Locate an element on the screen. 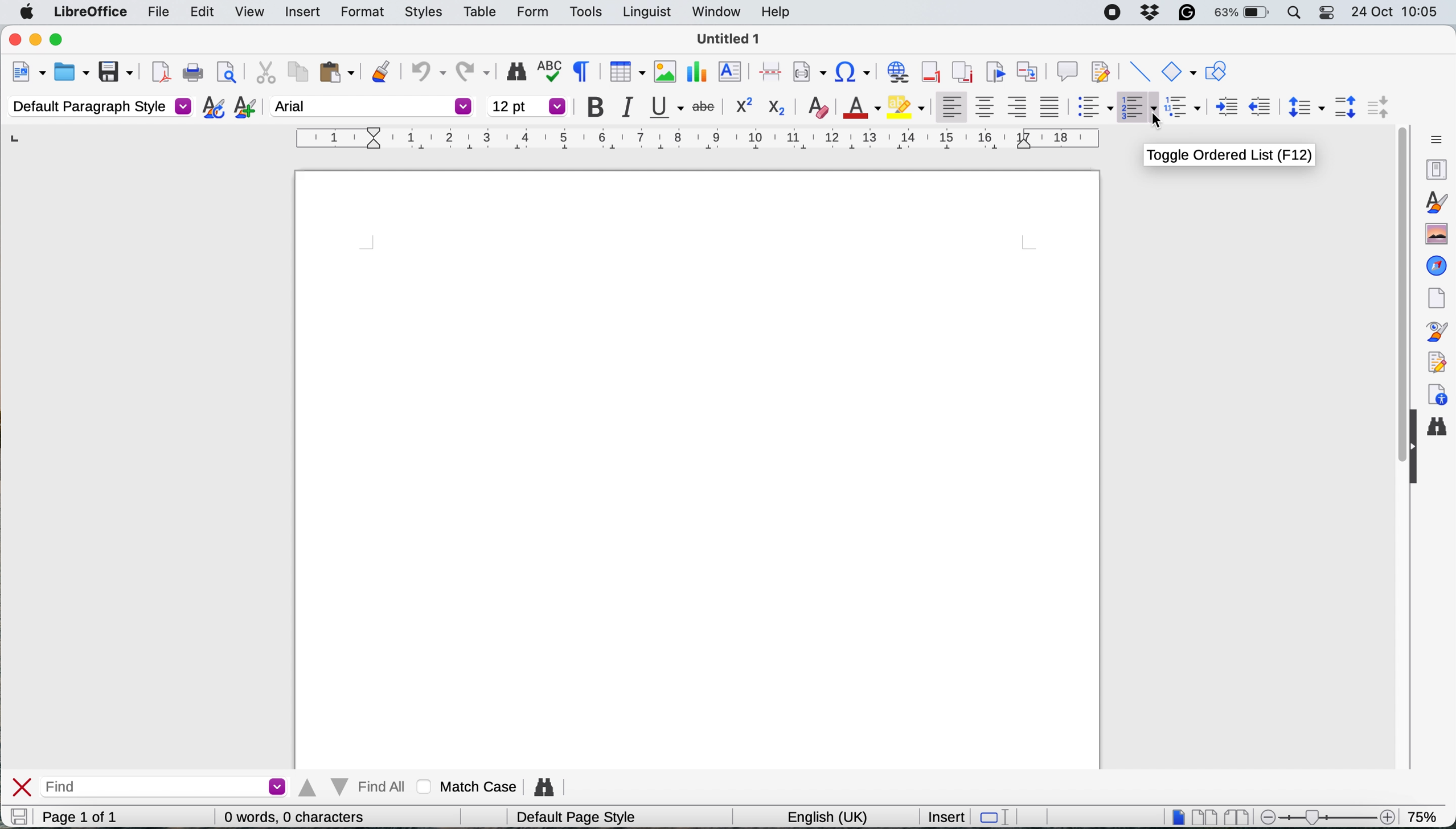  formt is located at coordinates (360, 13).